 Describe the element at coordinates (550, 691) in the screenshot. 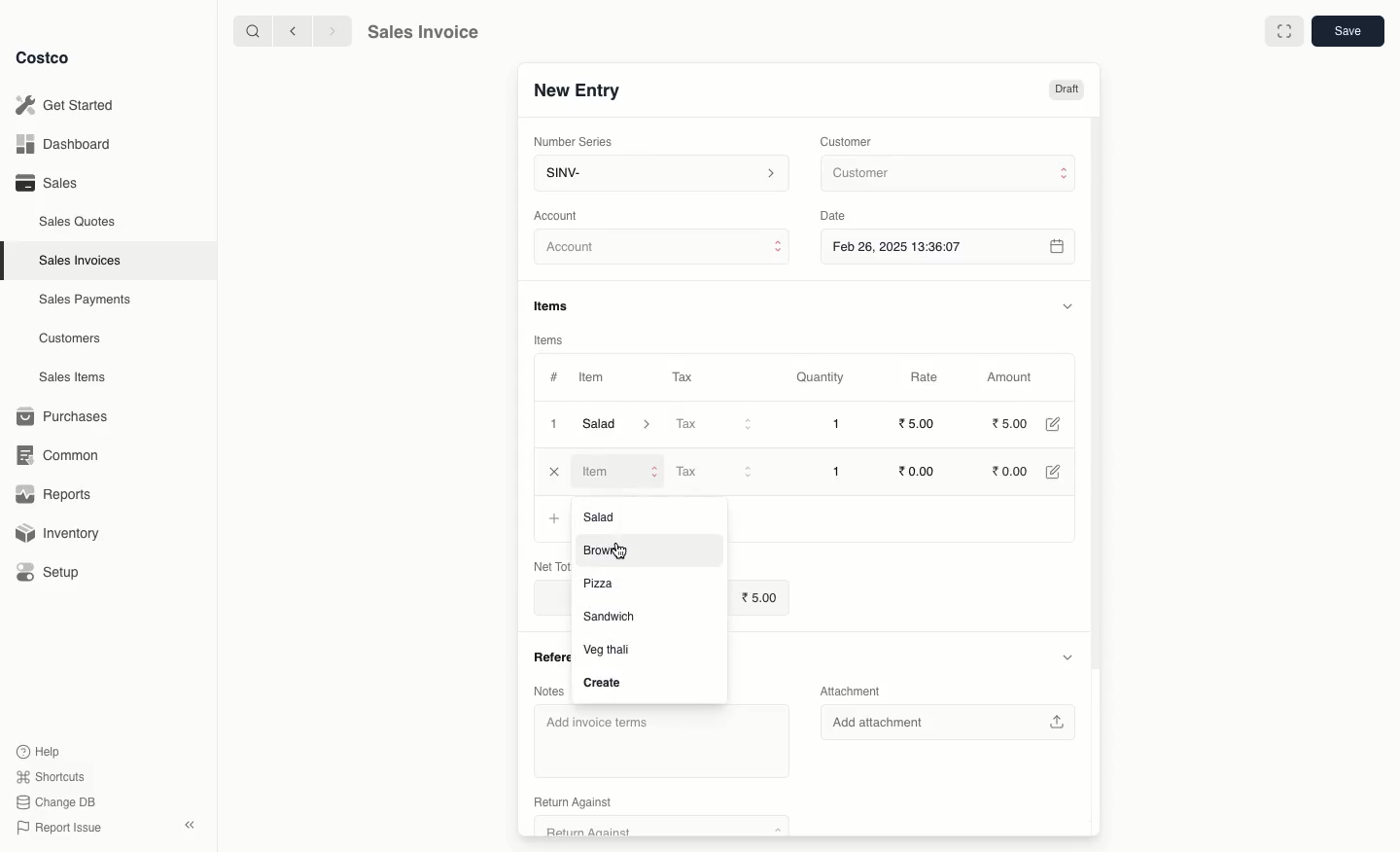

I see `Notes` at that location.